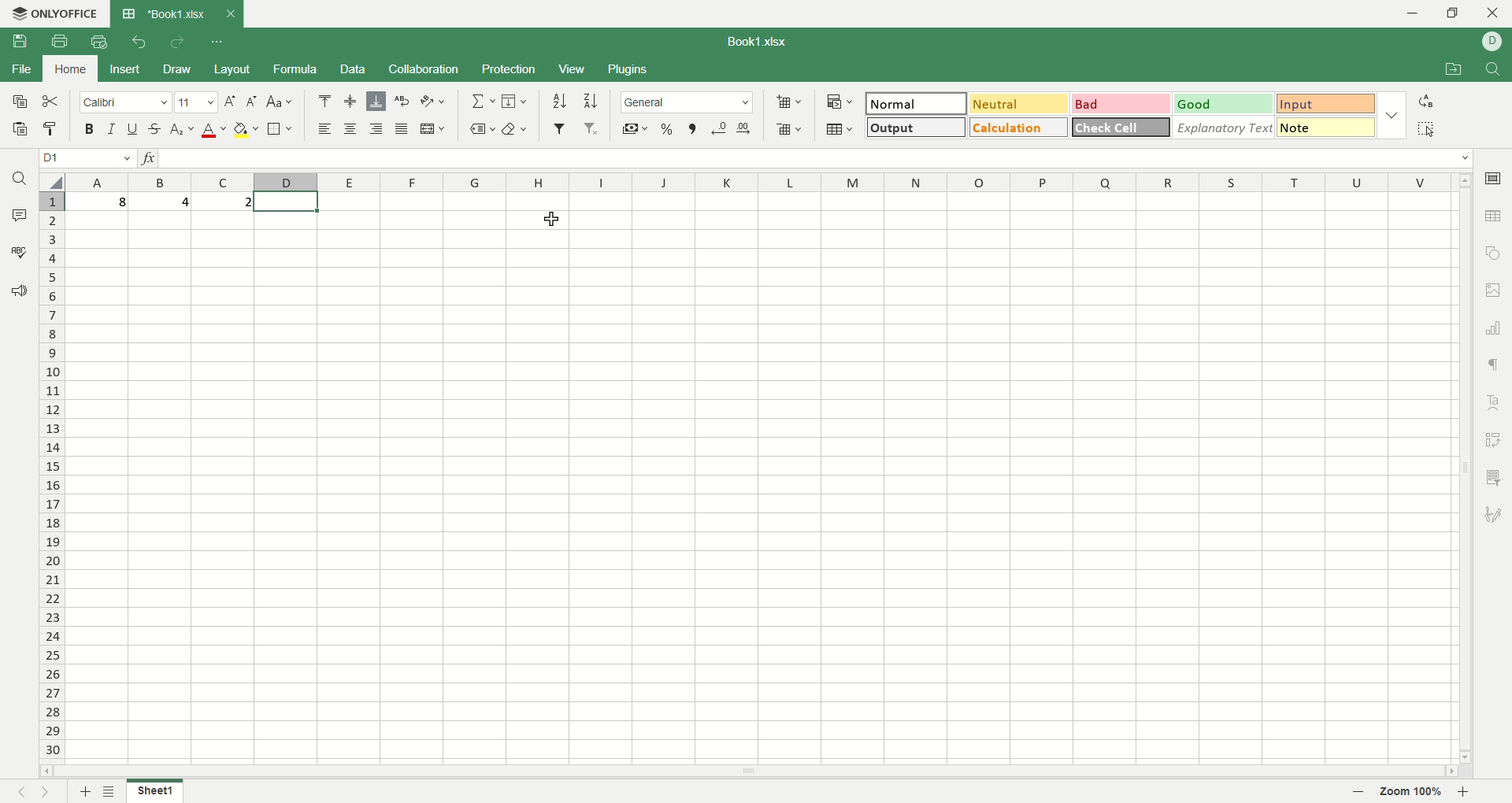 The height and width of the screenshot is (803, 1512). I want to click on font size, so click(197, 102).